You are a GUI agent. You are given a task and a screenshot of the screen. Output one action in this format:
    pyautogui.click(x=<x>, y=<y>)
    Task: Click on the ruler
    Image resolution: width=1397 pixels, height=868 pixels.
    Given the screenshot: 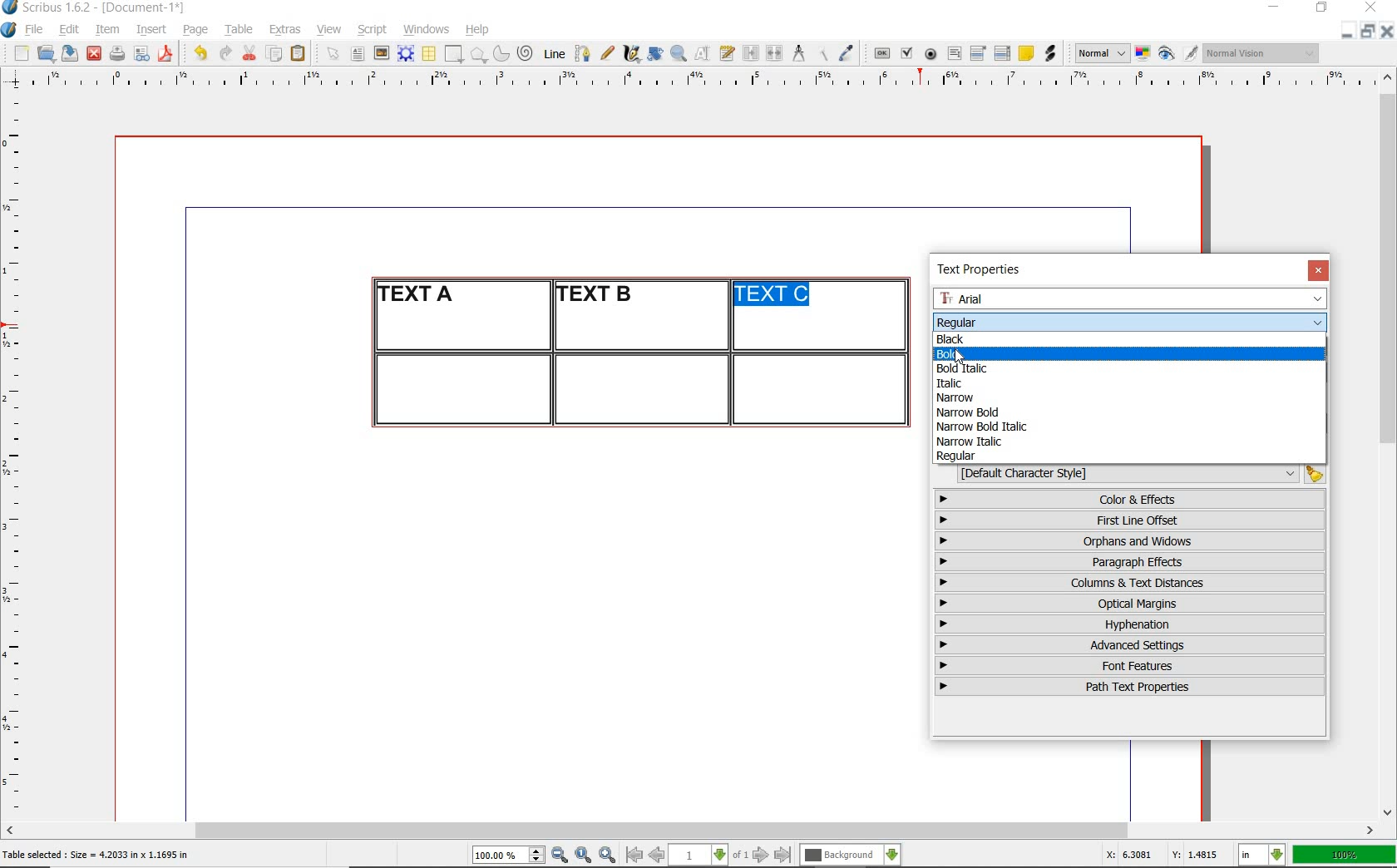 What is the action you would take?
    pyautogui.click(x=18, y=454)
    